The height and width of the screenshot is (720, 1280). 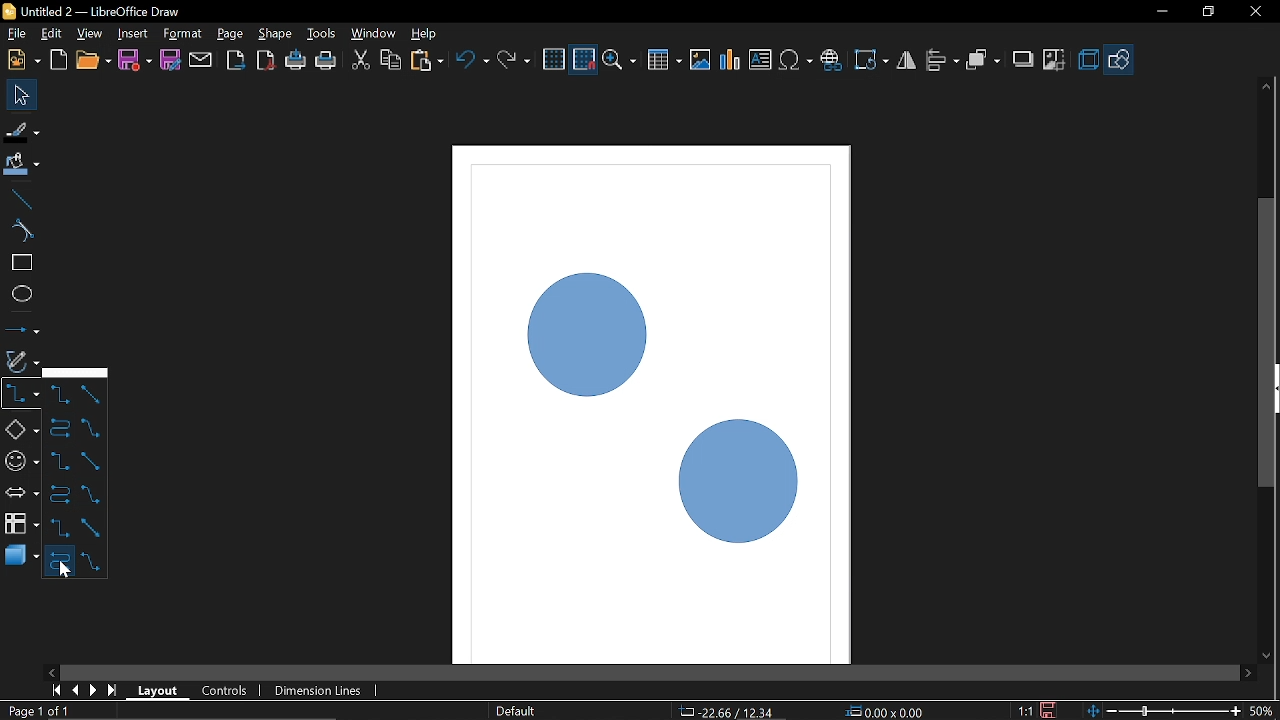 I want to click on Snap to grid, so click(x=585, y=60).